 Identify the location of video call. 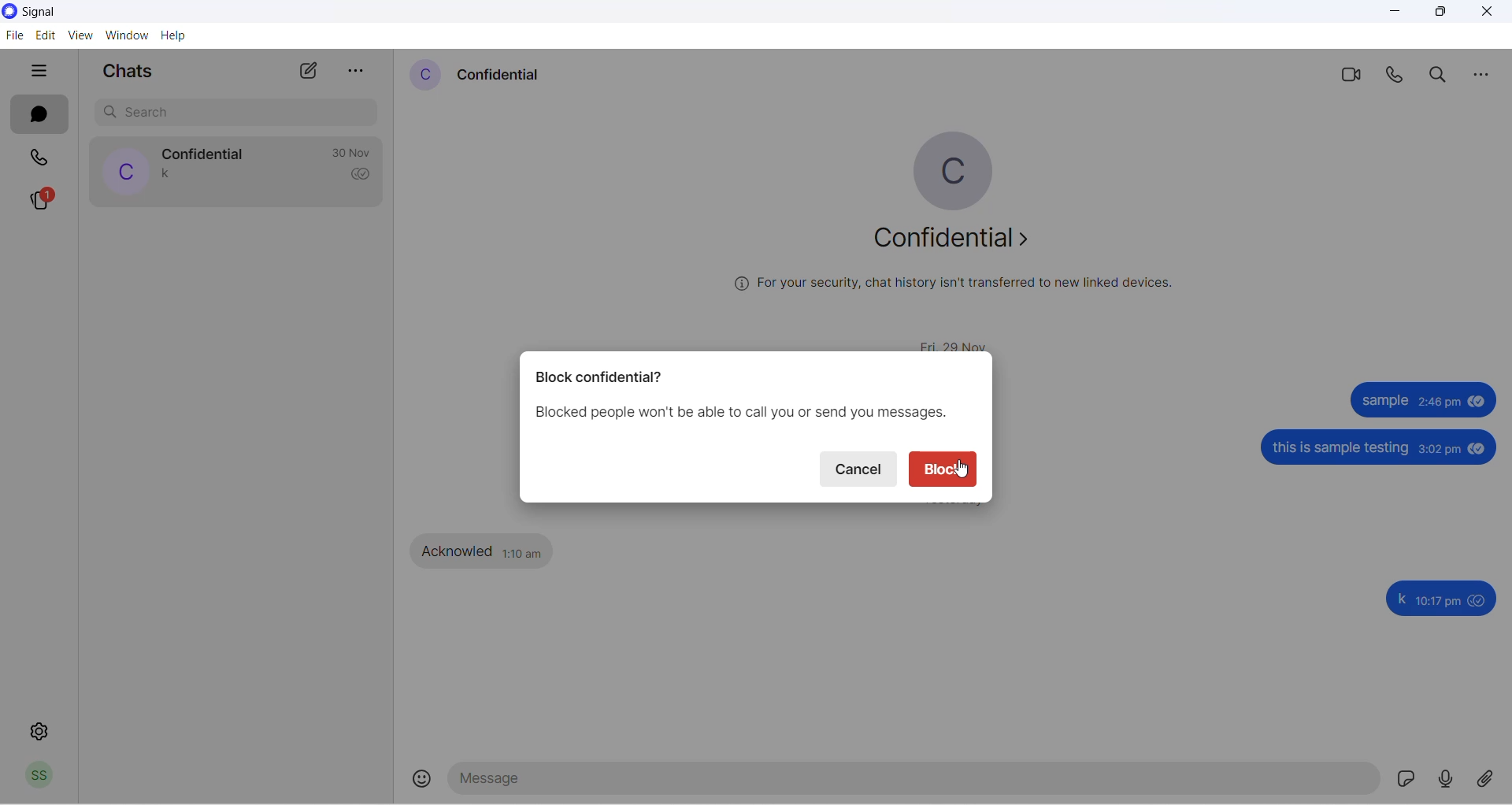
(1352, 76).